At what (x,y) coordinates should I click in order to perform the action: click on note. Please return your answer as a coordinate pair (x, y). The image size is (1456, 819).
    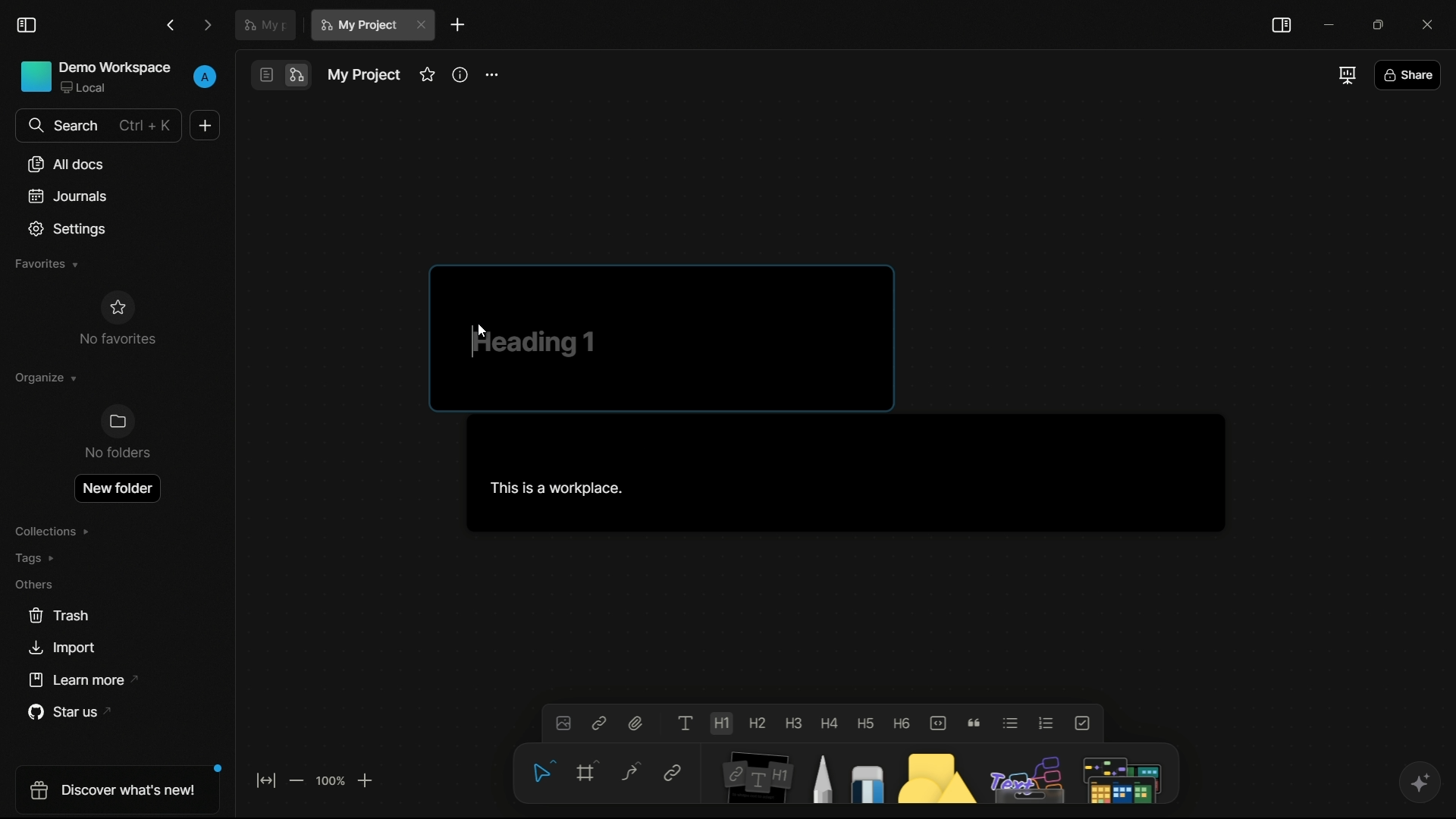
    Looking at the image, I should click on (752, 775).